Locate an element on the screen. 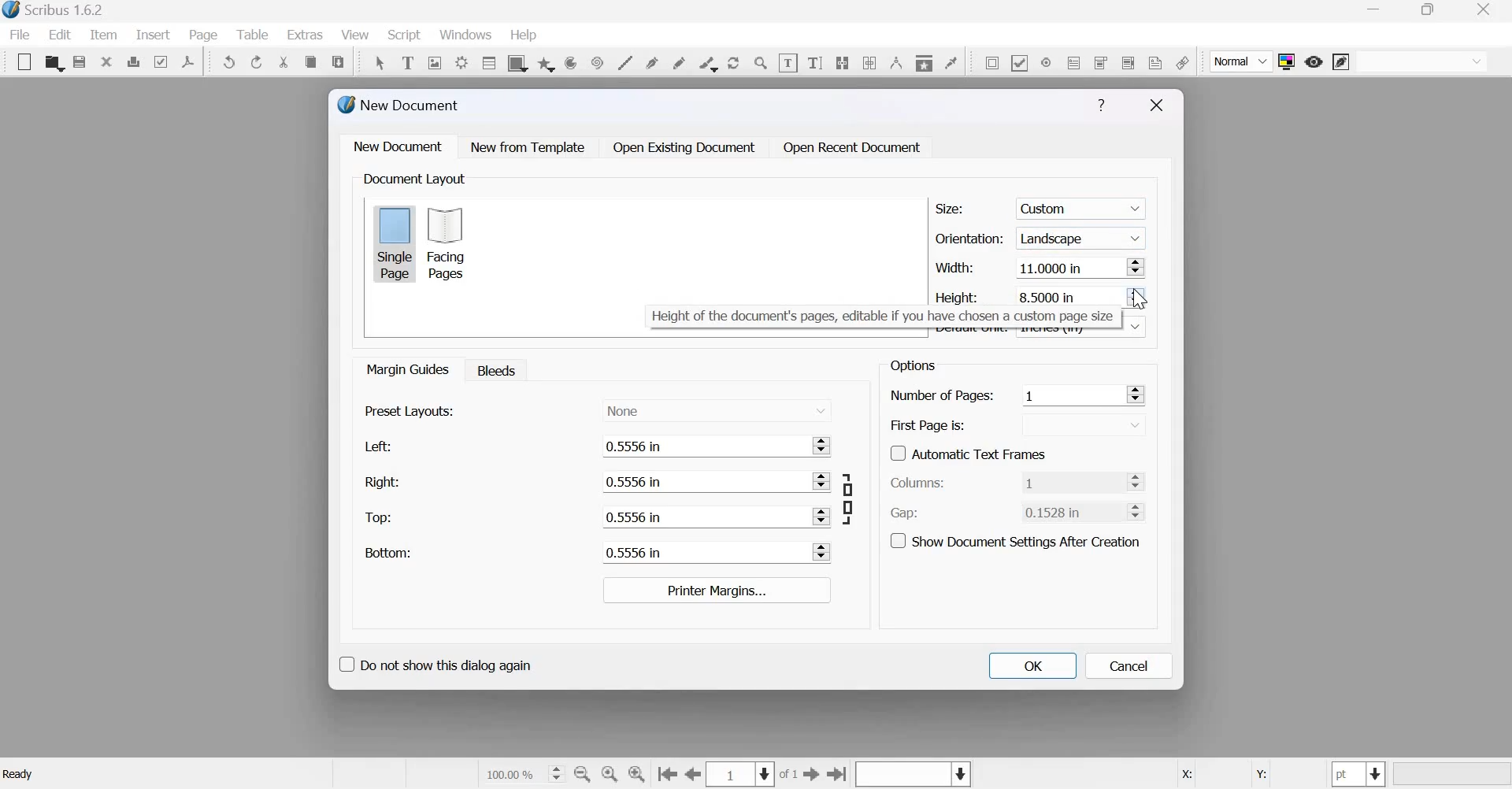 The image size is (1512, 789). New Document is located at coordinates (400, 105).